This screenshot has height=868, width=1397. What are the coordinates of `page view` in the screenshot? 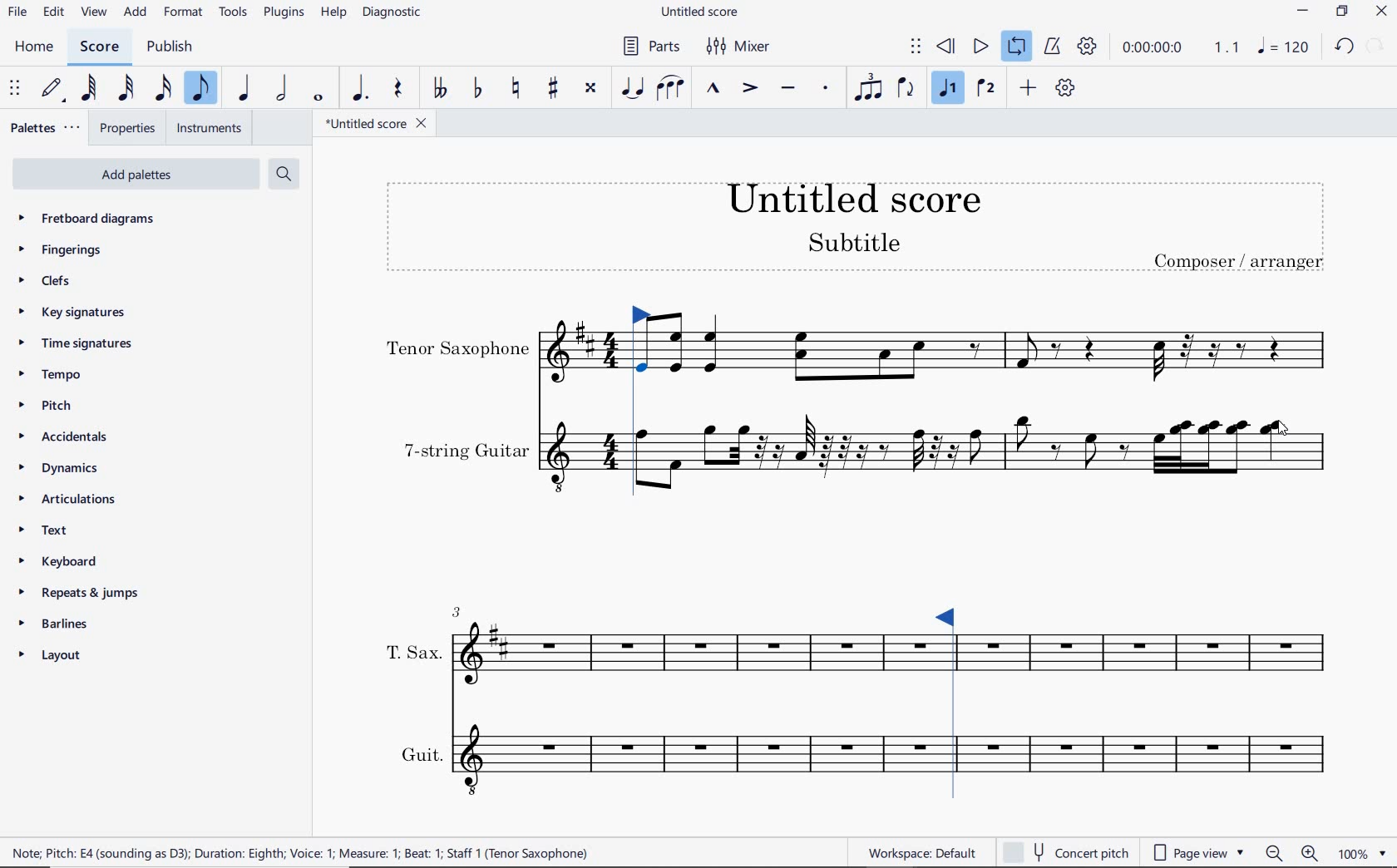 It's located at (1198, 854).